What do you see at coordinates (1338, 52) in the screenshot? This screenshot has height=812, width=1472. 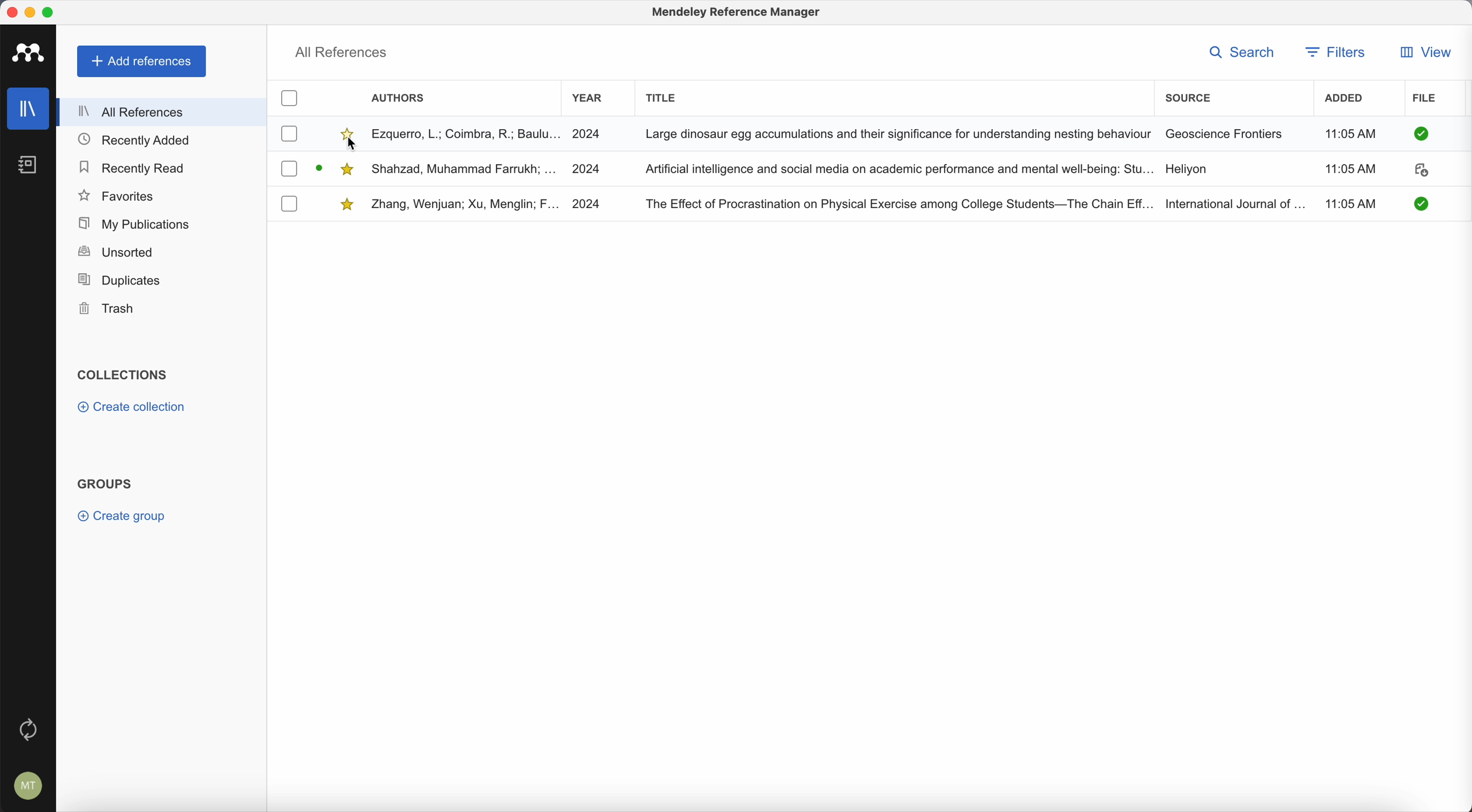 I see `filters` at bounding box center [1338, 52].